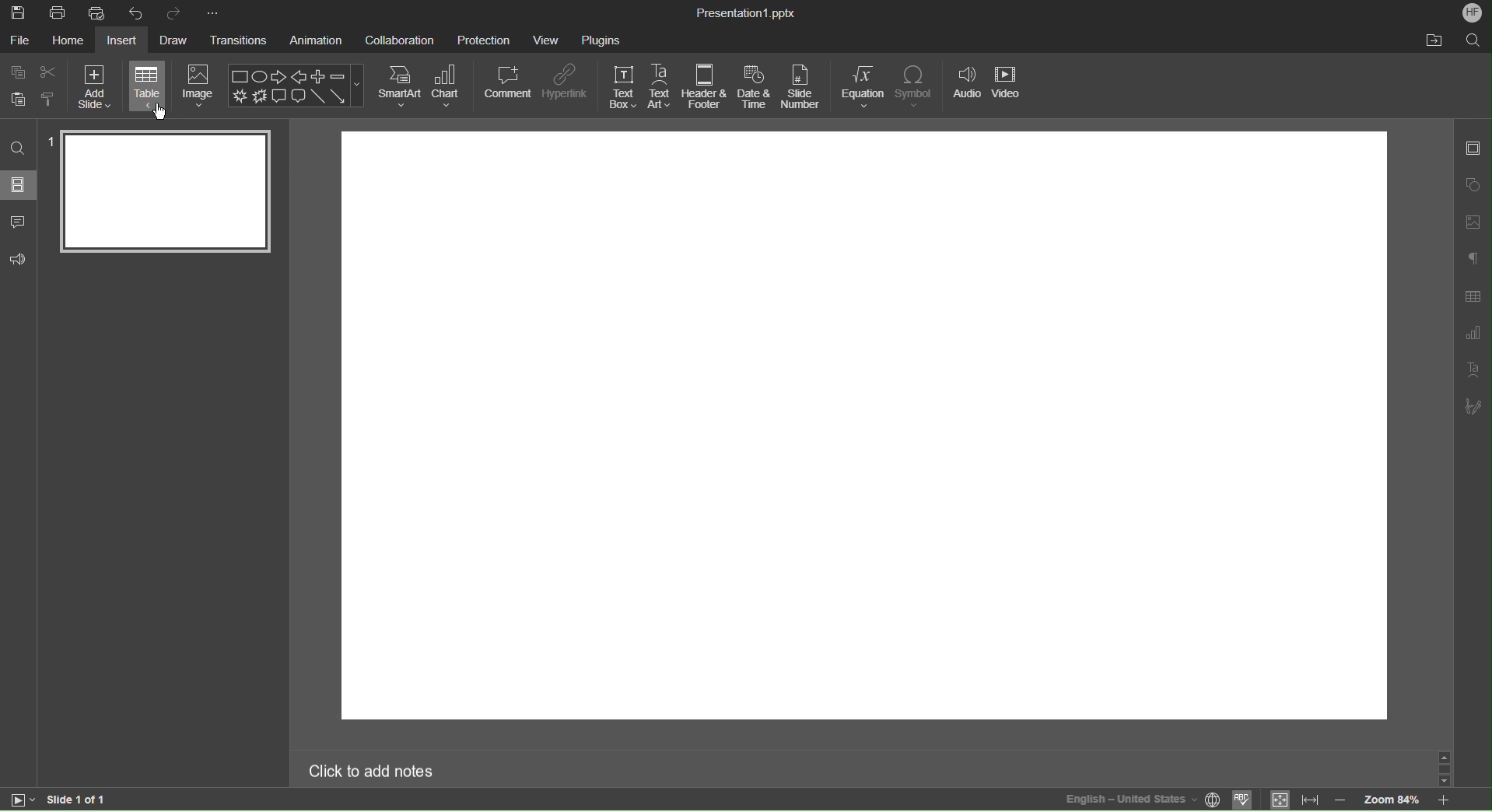  Describe the element at coordinates (18, 262) in the screenshot. I see `Comments and Feedback` at that location.